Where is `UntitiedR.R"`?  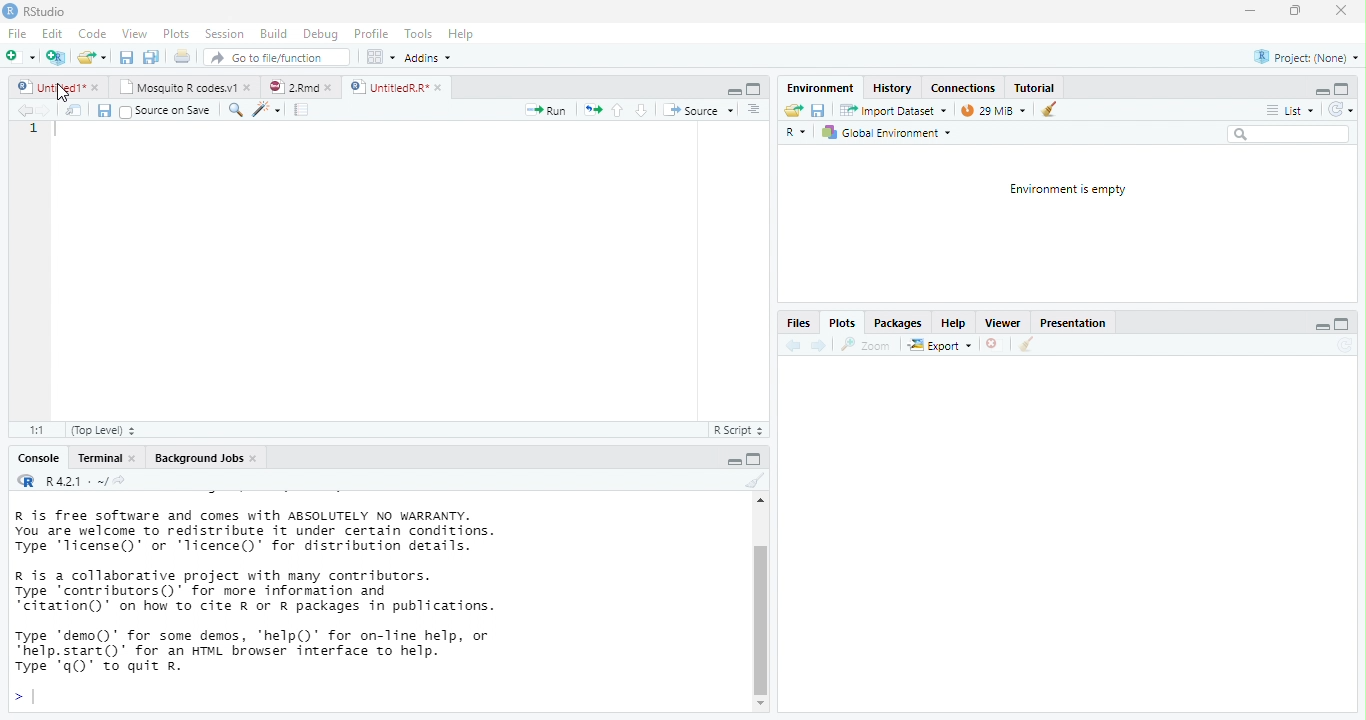 UntitiedR.R" is located at coordinates (387, 87).